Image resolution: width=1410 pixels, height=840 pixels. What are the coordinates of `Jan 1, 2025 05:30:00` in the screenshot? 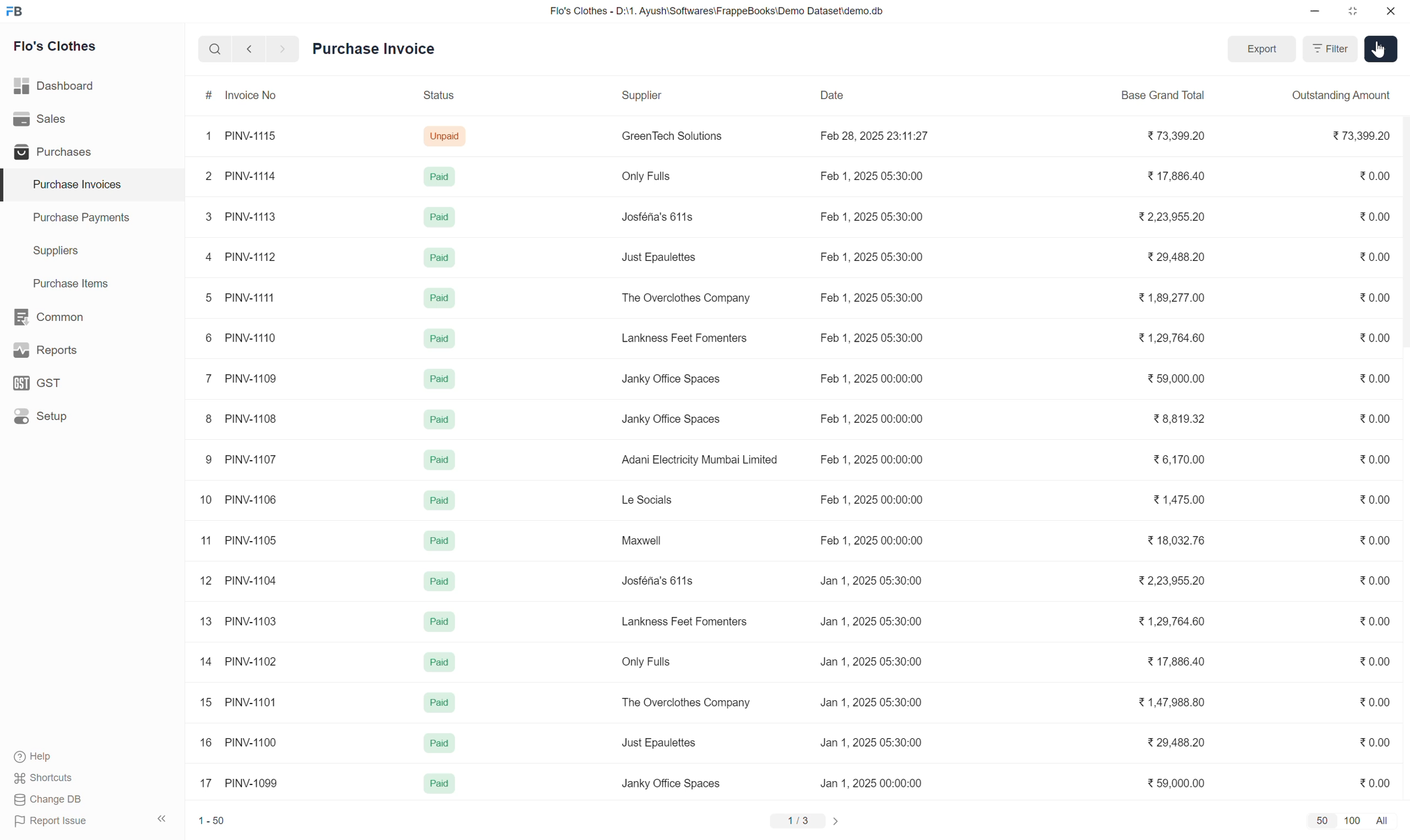 It's located at (873, 580).